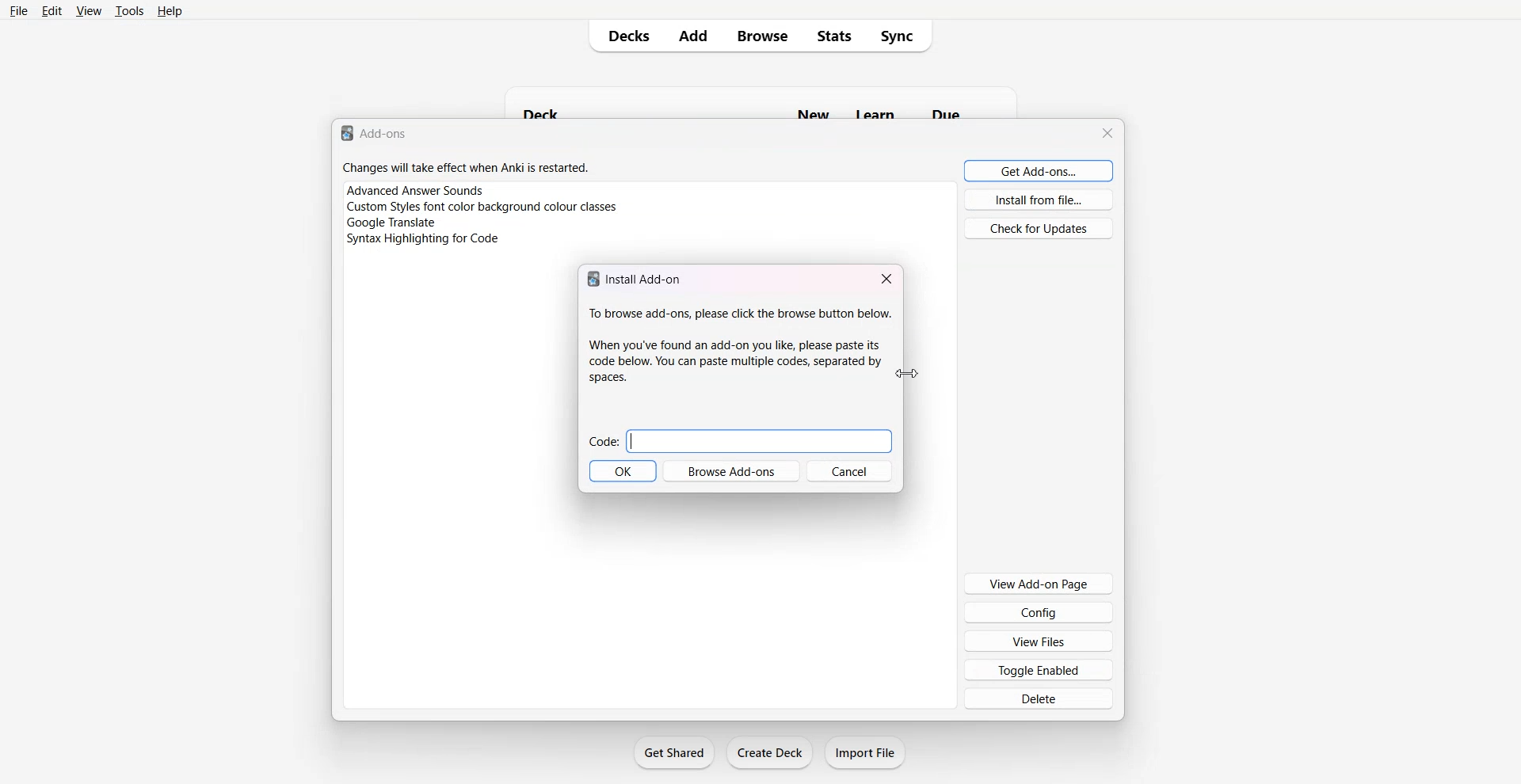 The image size is (1521, 784). I want to click on Tools, so click(129, 11).